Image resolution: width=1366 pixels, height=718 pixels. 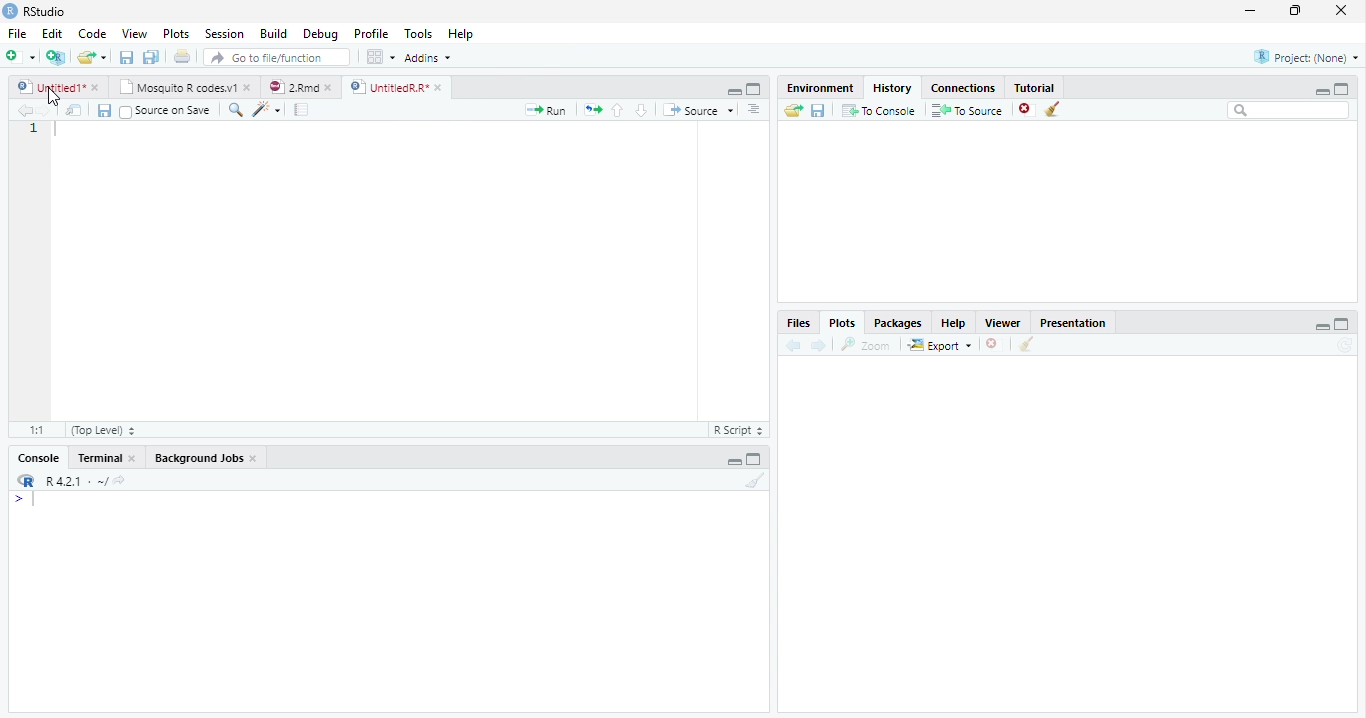 I want to click on Background jobs, so click(x=206, y=458).